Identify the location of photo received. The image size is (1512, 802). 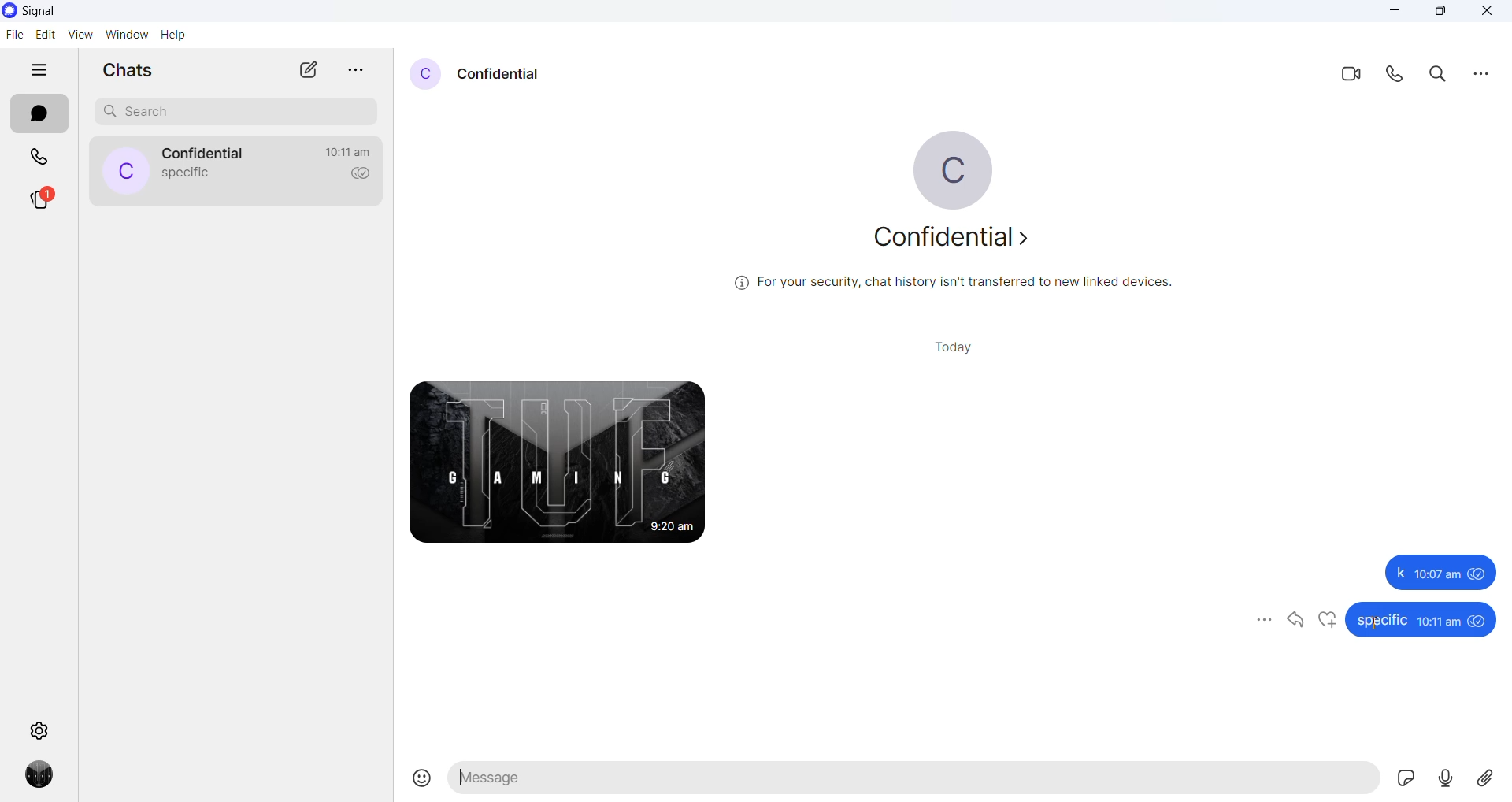
(559, 463).